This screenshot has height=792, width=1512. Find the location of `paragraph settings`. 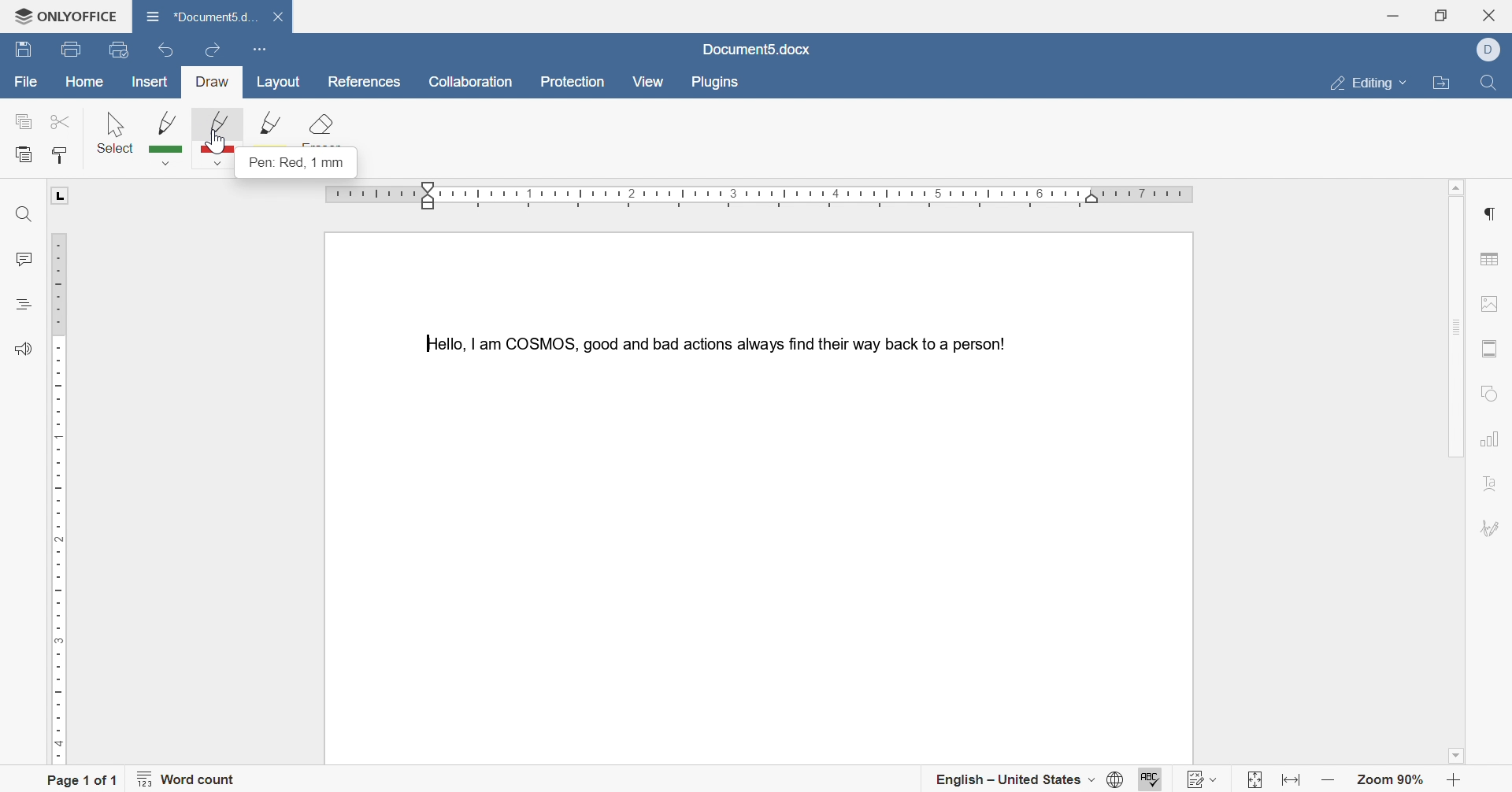

paragraph settings is located at coordinates (1493, 213).